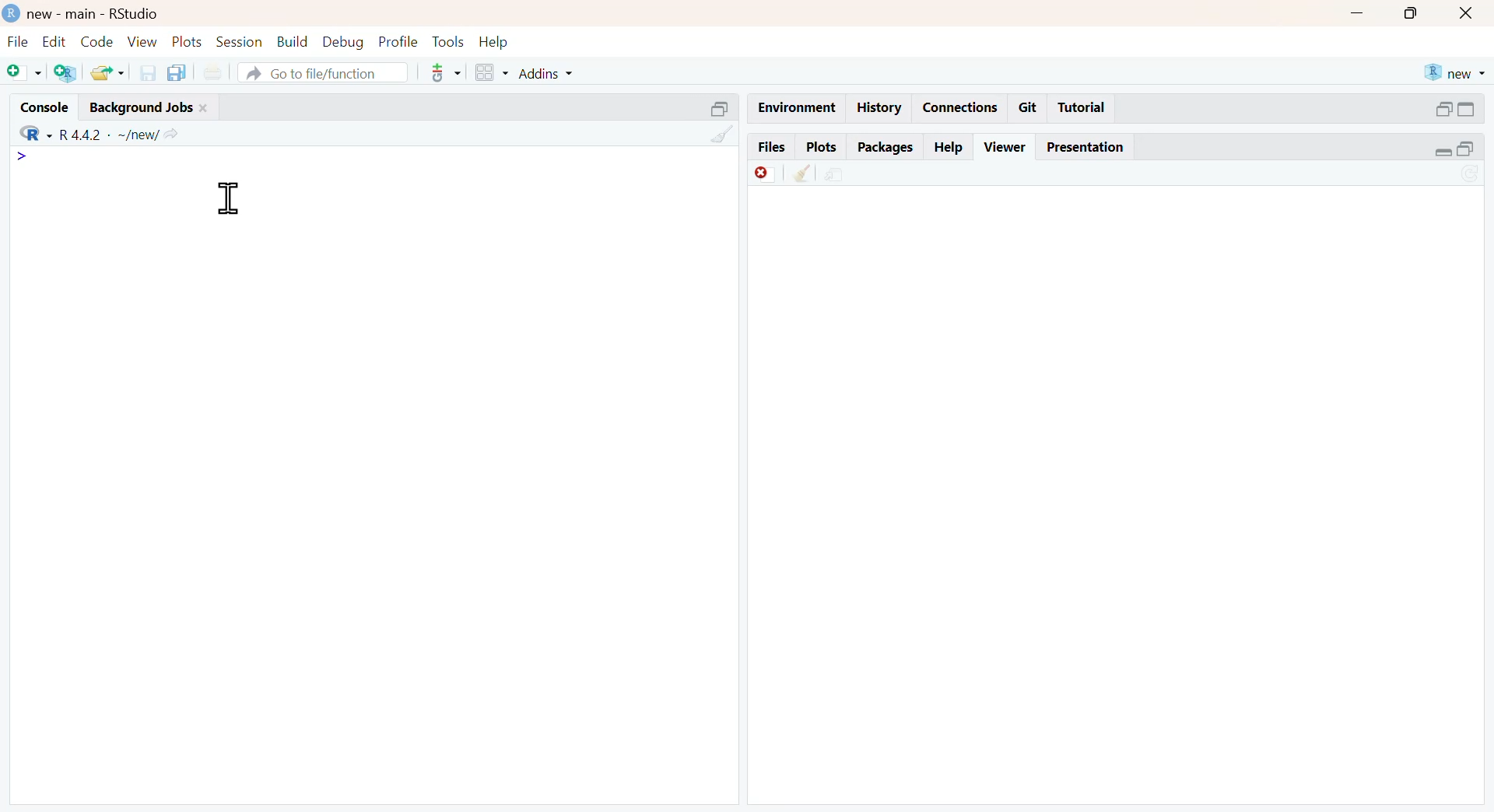 The width and height of the screenshot is (1494, 812). I want to click on profile, so click(400, 42).